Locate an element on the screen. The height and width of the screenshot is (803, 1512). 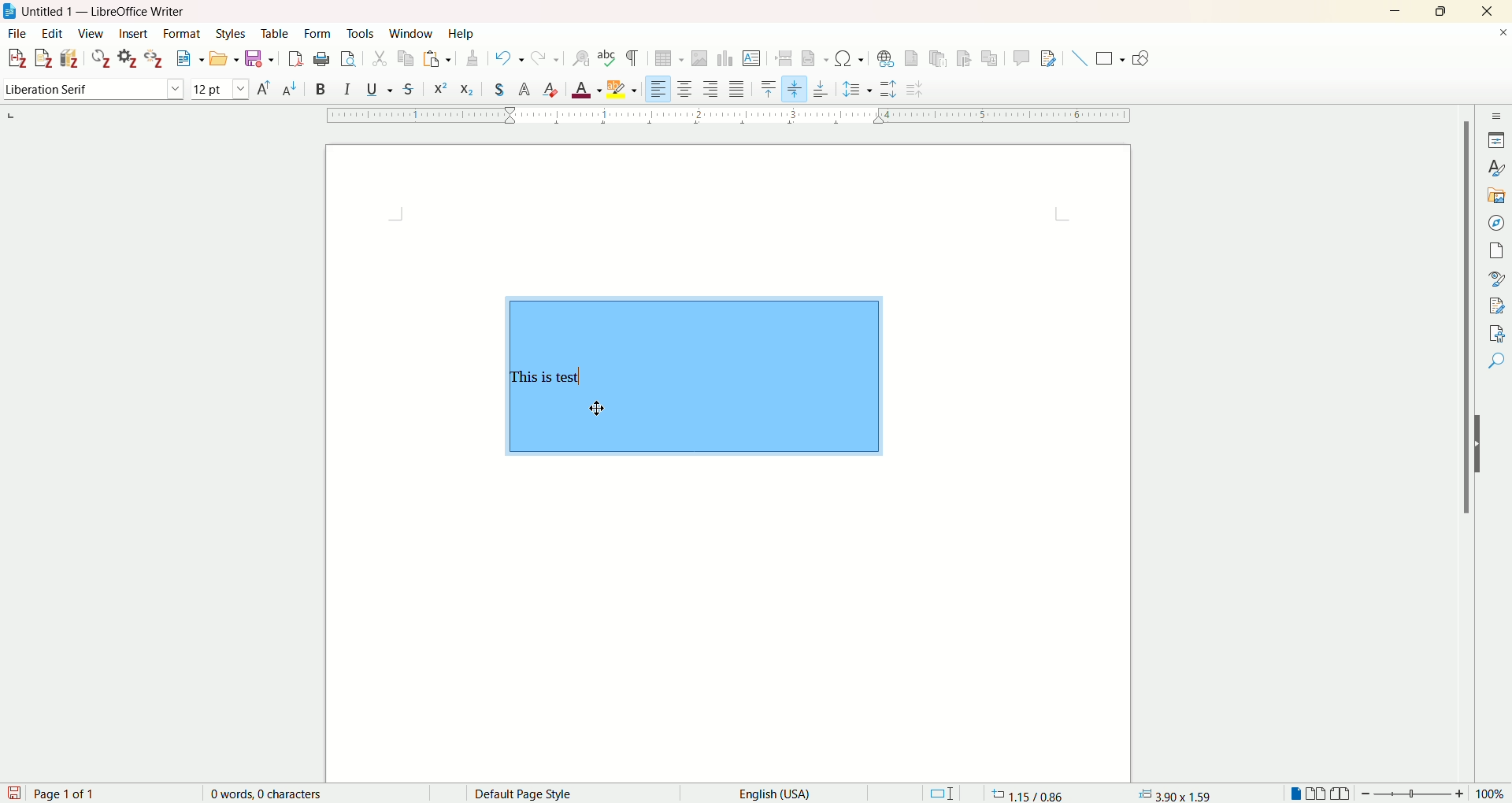
page is located at coordinates (1495, 253).